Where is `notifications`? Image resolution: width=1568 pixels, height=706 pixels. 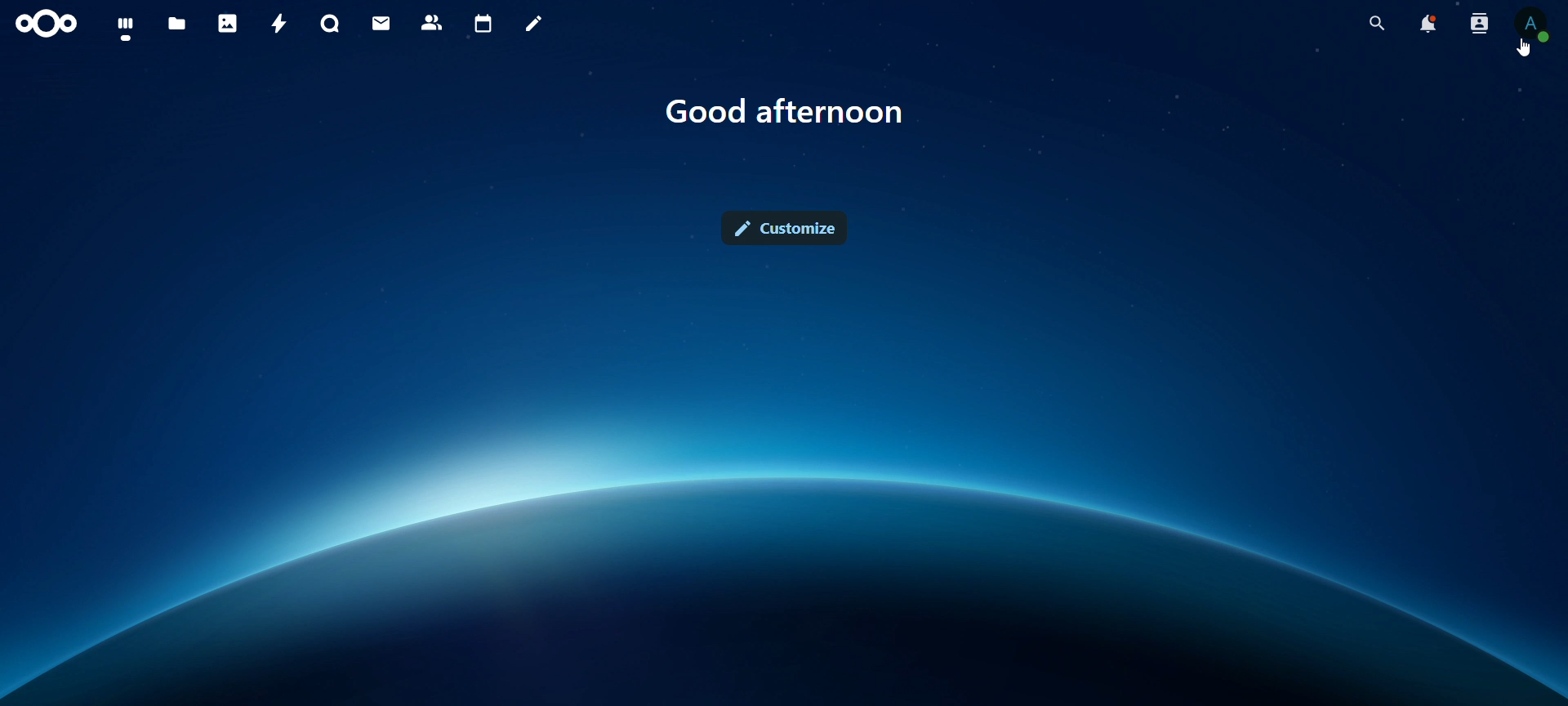
notifications is located at coordinates (1427, 25).